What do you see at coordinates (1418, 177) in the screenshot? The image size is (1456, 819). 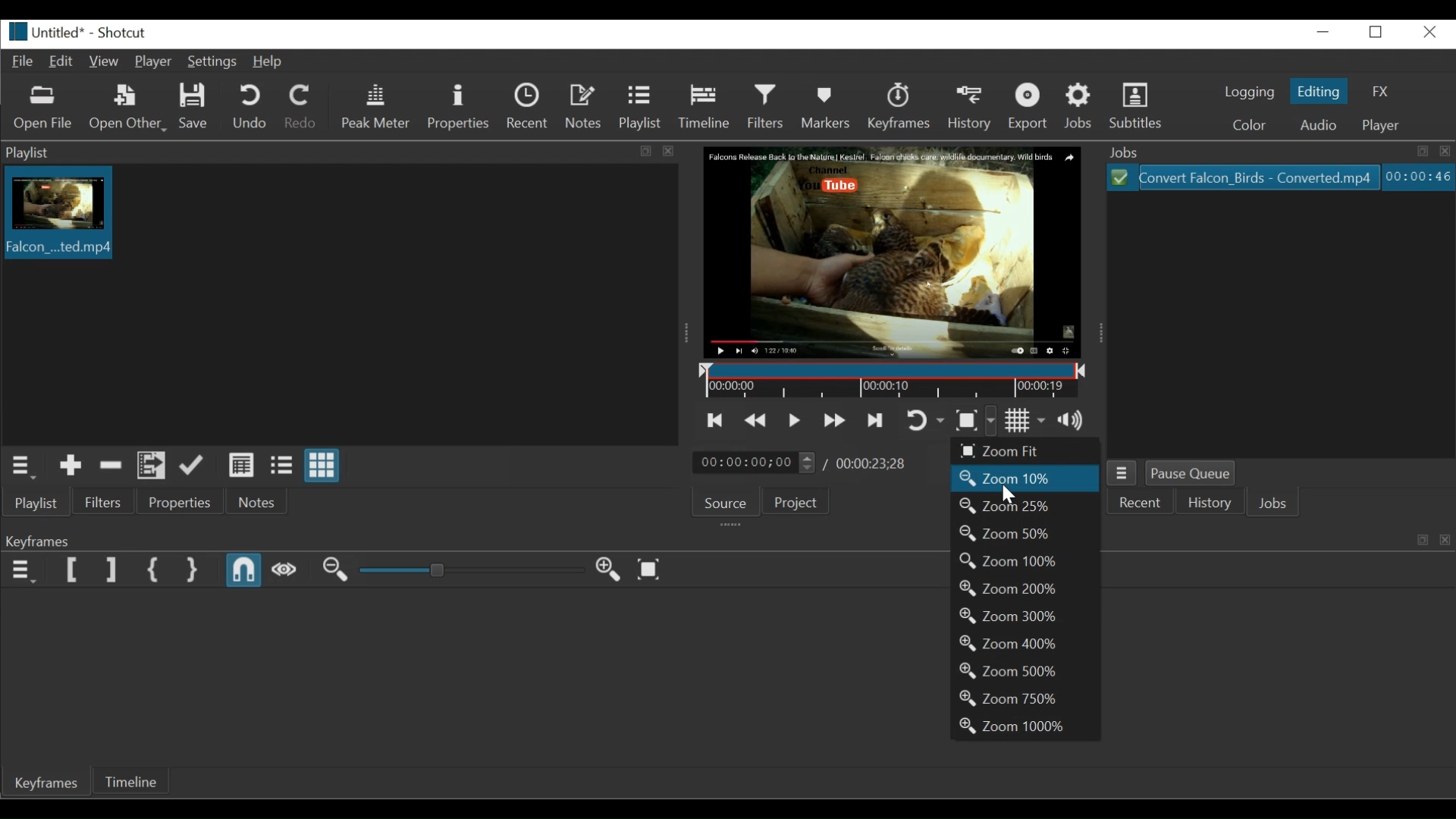 I see `Elapsed Hours: Minutes: Seconds` at bounding box center [1418, 177].